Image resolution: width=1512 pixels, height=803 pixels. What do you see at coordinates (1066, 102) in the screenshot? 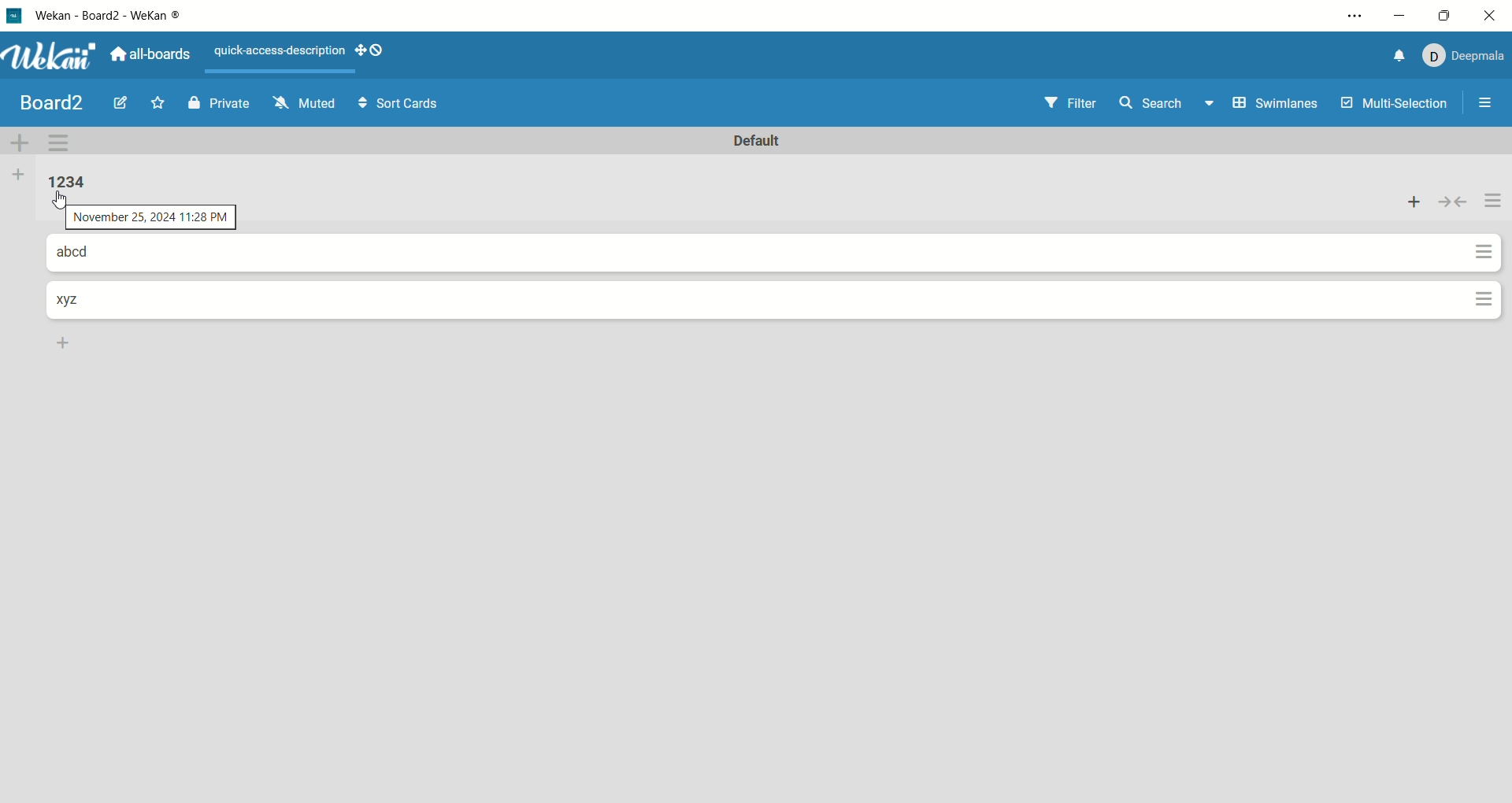
I see `filter` at bounding box center [1066, 102].